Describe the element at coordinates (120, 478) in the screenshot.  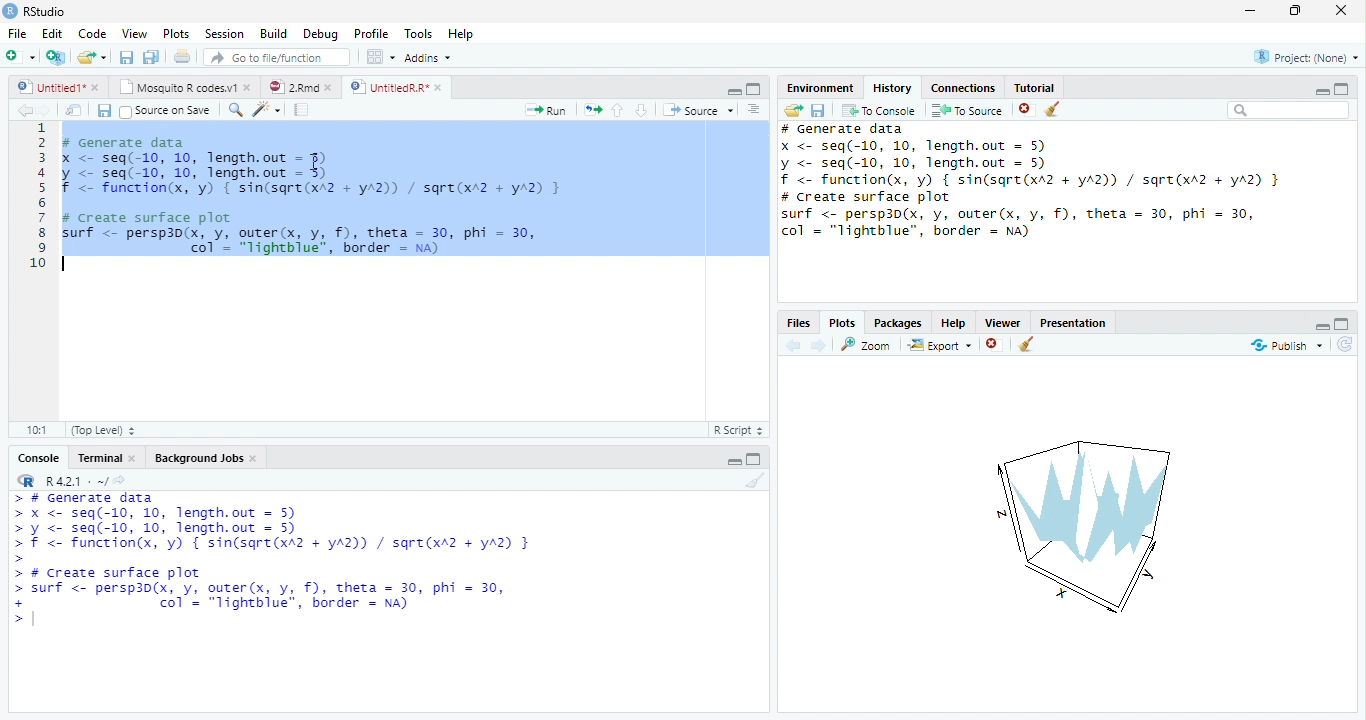
I see `View the current working directory` at that location.